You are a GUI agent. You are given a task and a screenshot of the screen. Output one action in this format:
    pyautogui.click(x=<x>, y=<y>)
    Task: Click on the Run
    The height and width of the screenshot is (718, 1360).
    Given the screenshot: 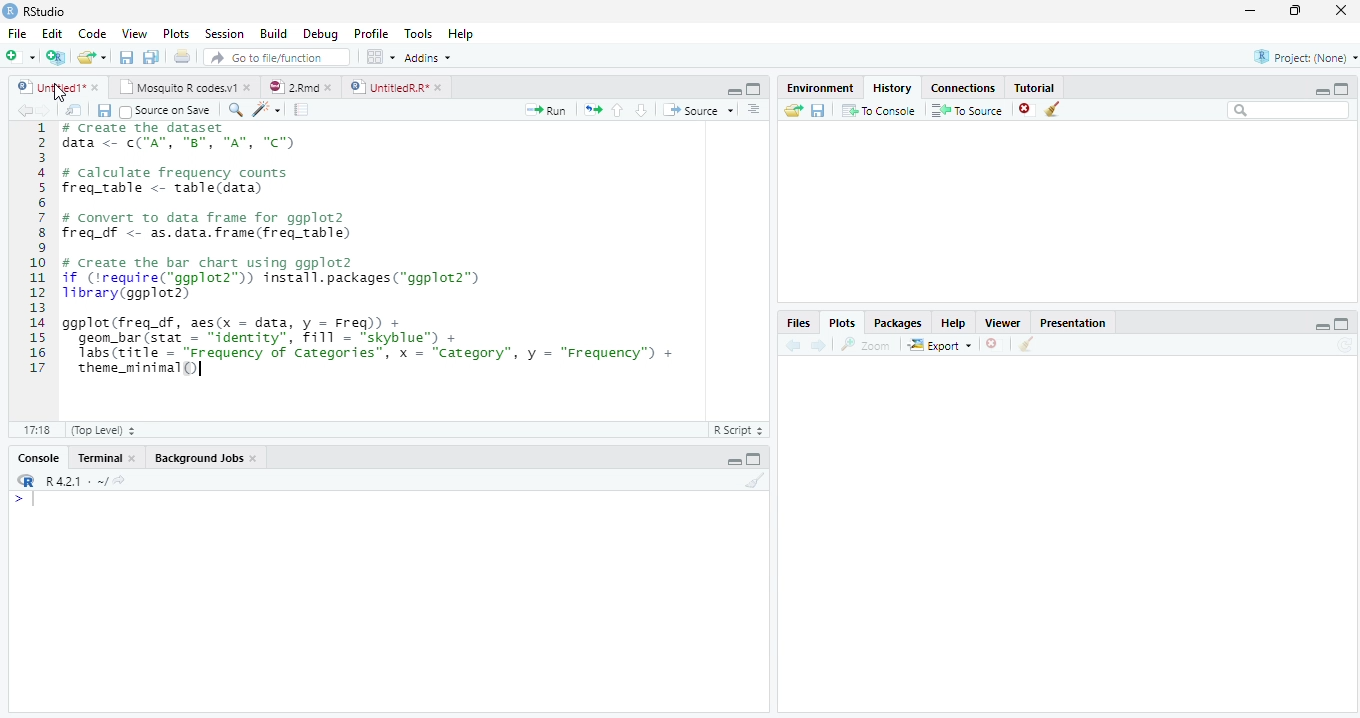 What is the action you would take?
    pyautogui.click(x=549, y=110)
    